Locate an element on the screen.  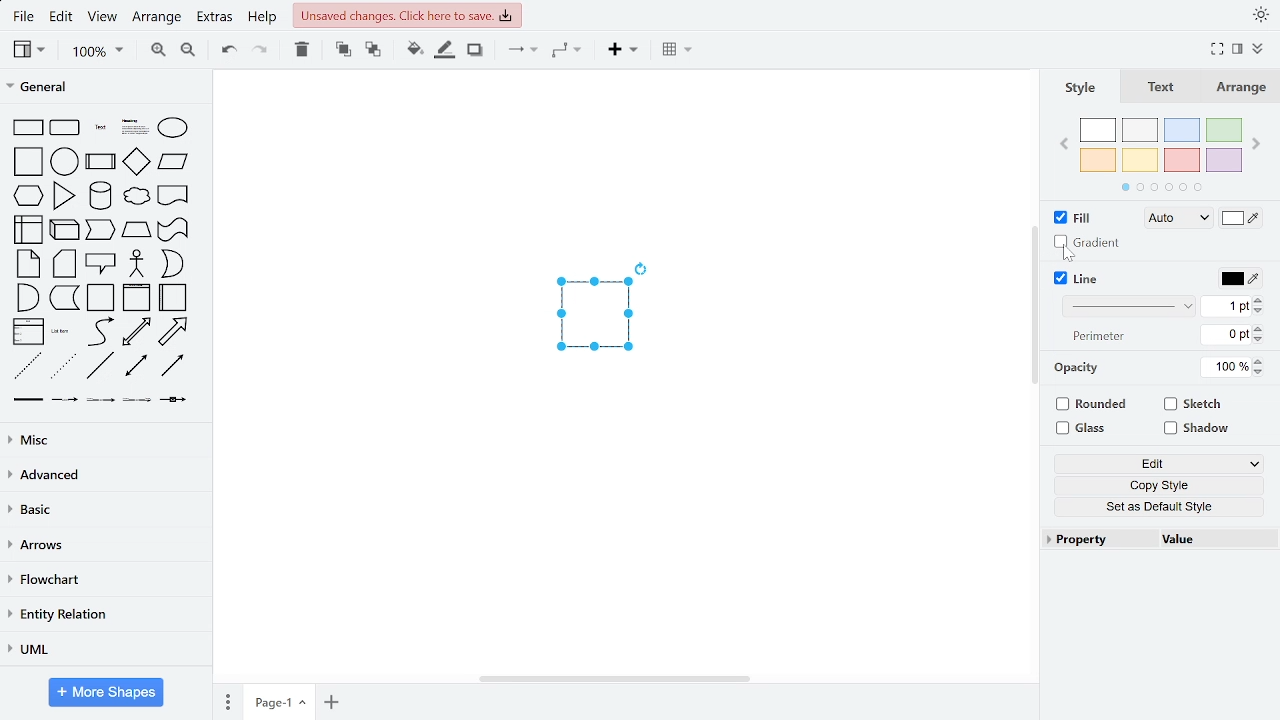
connectors is located at coordinates (520, 51).